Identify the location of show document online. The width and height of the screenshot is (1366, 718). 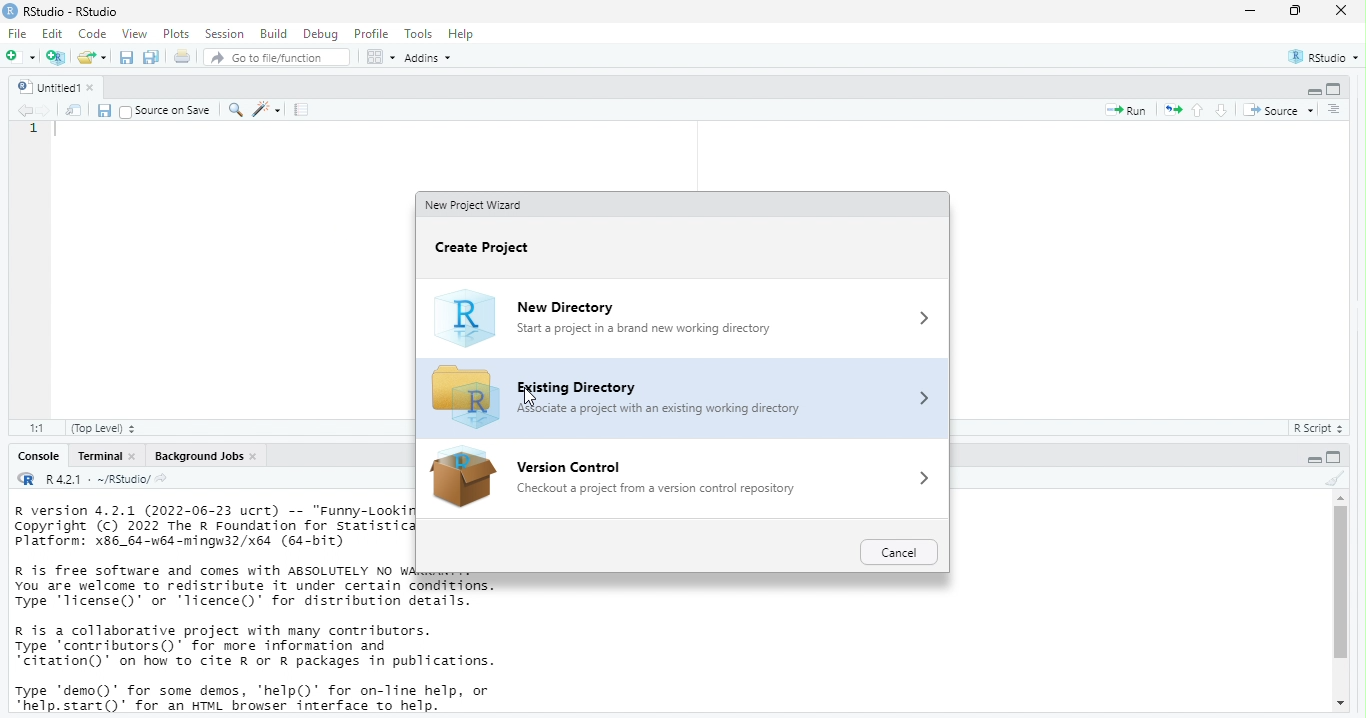
(1342, 111).